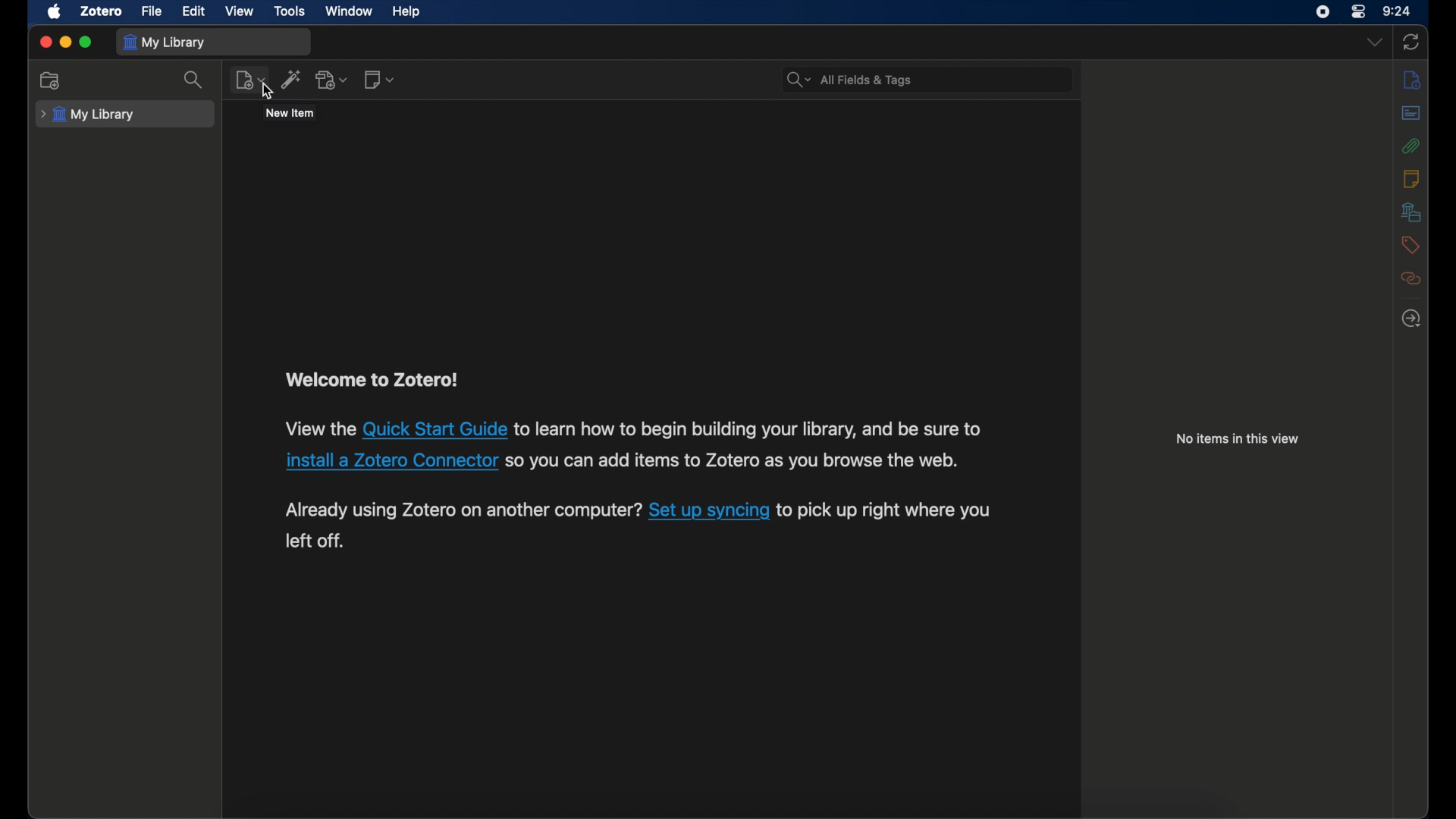  Describe the element at coordinates (1411, 42) in the screenshot. I see `sync` at that location.